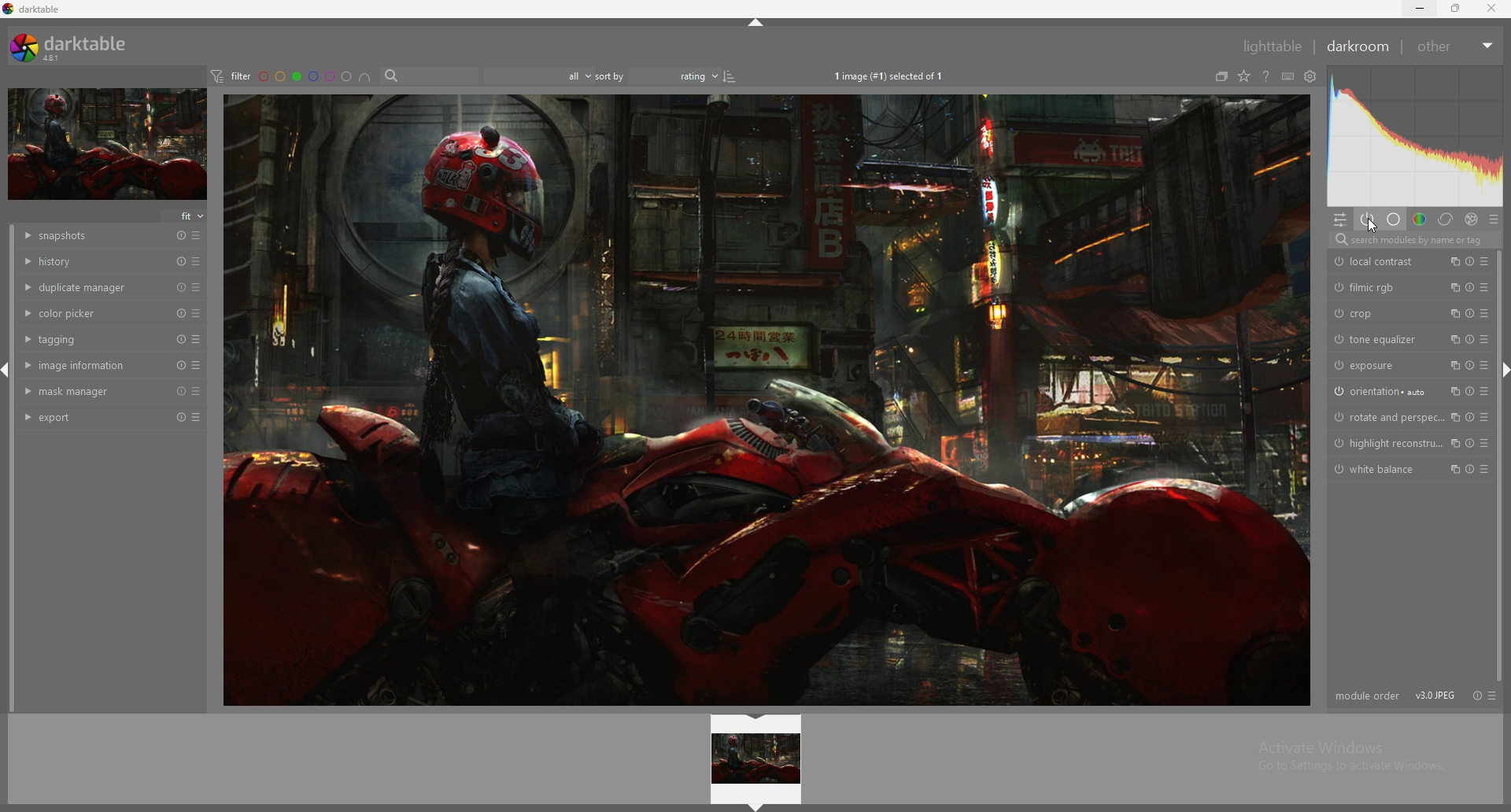  What do you see at coordinates (1450, 470) in the screenshot?
I see `multiple instances action` at bounding box center [1450, 470].